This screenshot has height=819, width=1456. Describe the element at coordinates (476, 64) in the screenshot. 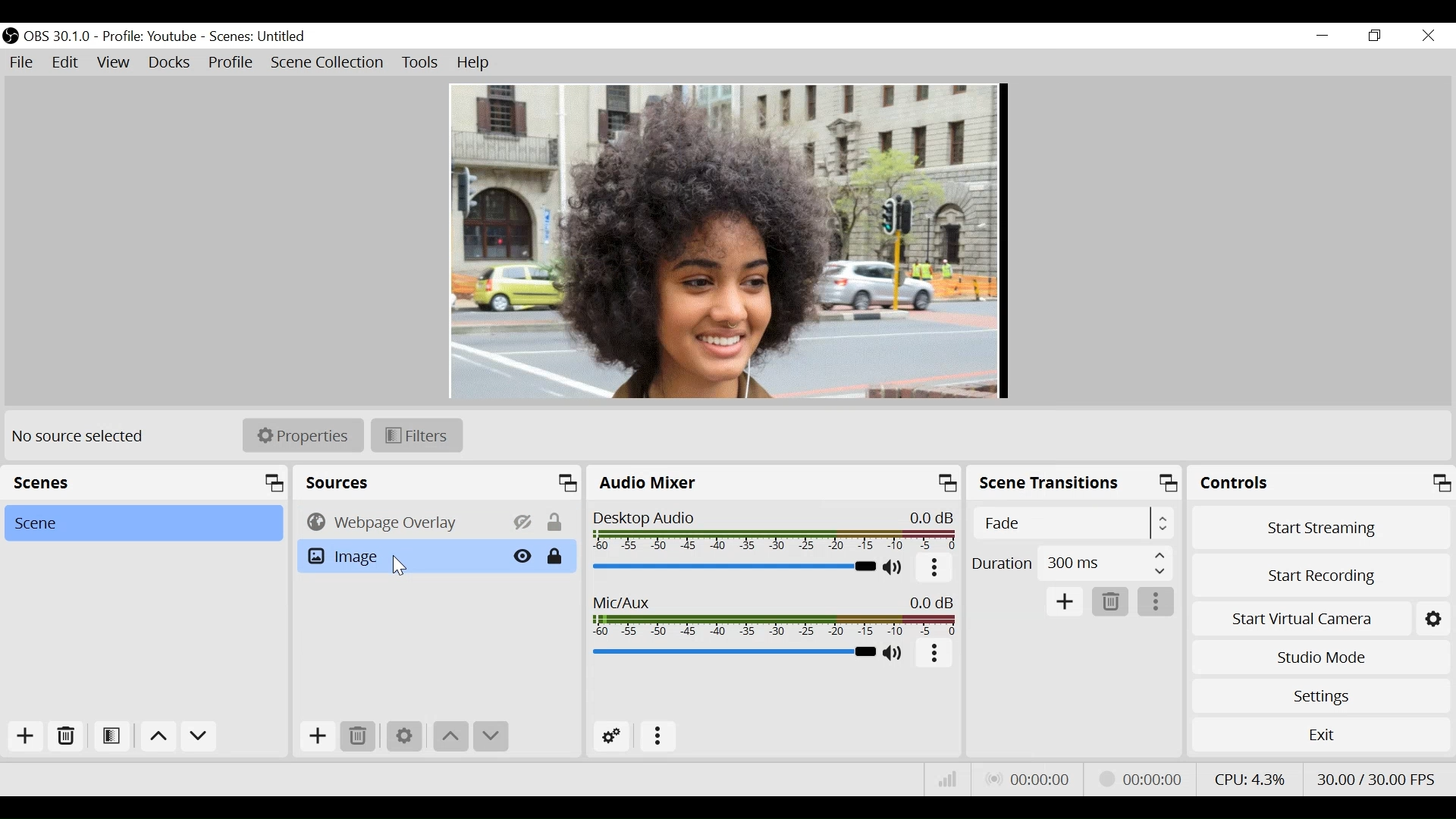

I see `Help` at that location.